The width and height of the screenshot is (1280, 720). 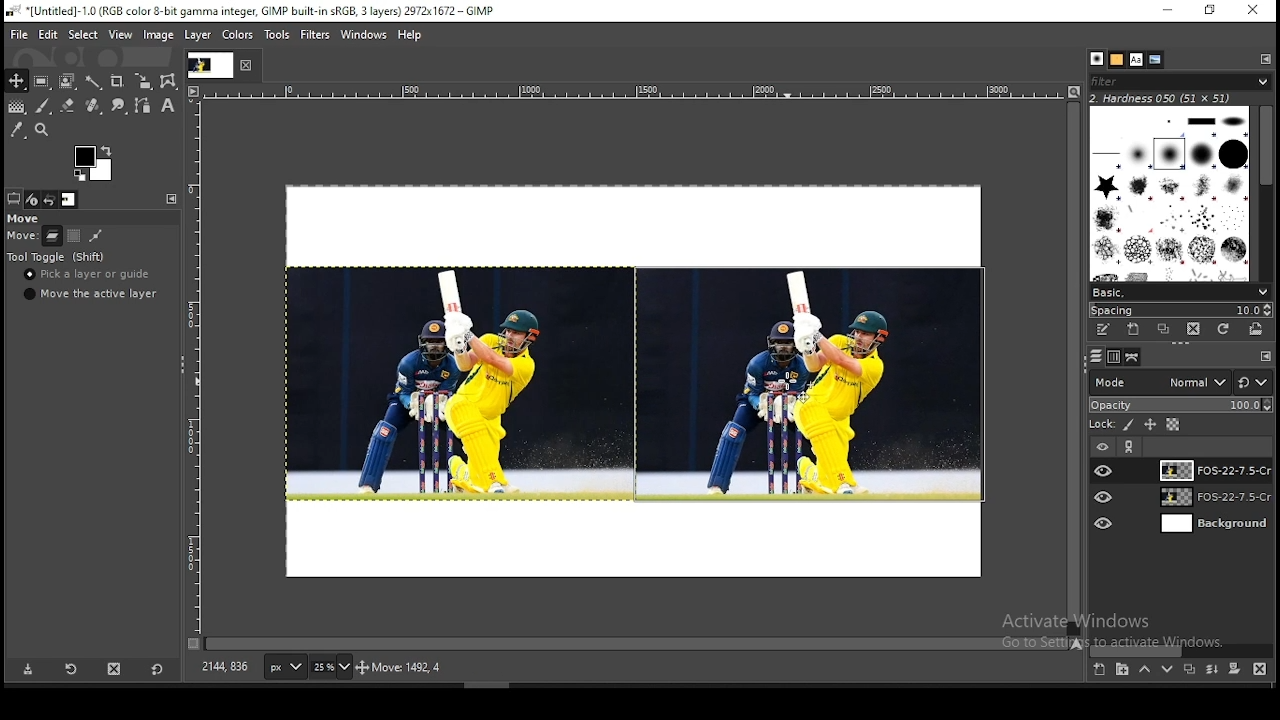 I want to click on layer visibility on/off, so click(x=1105, y=521).